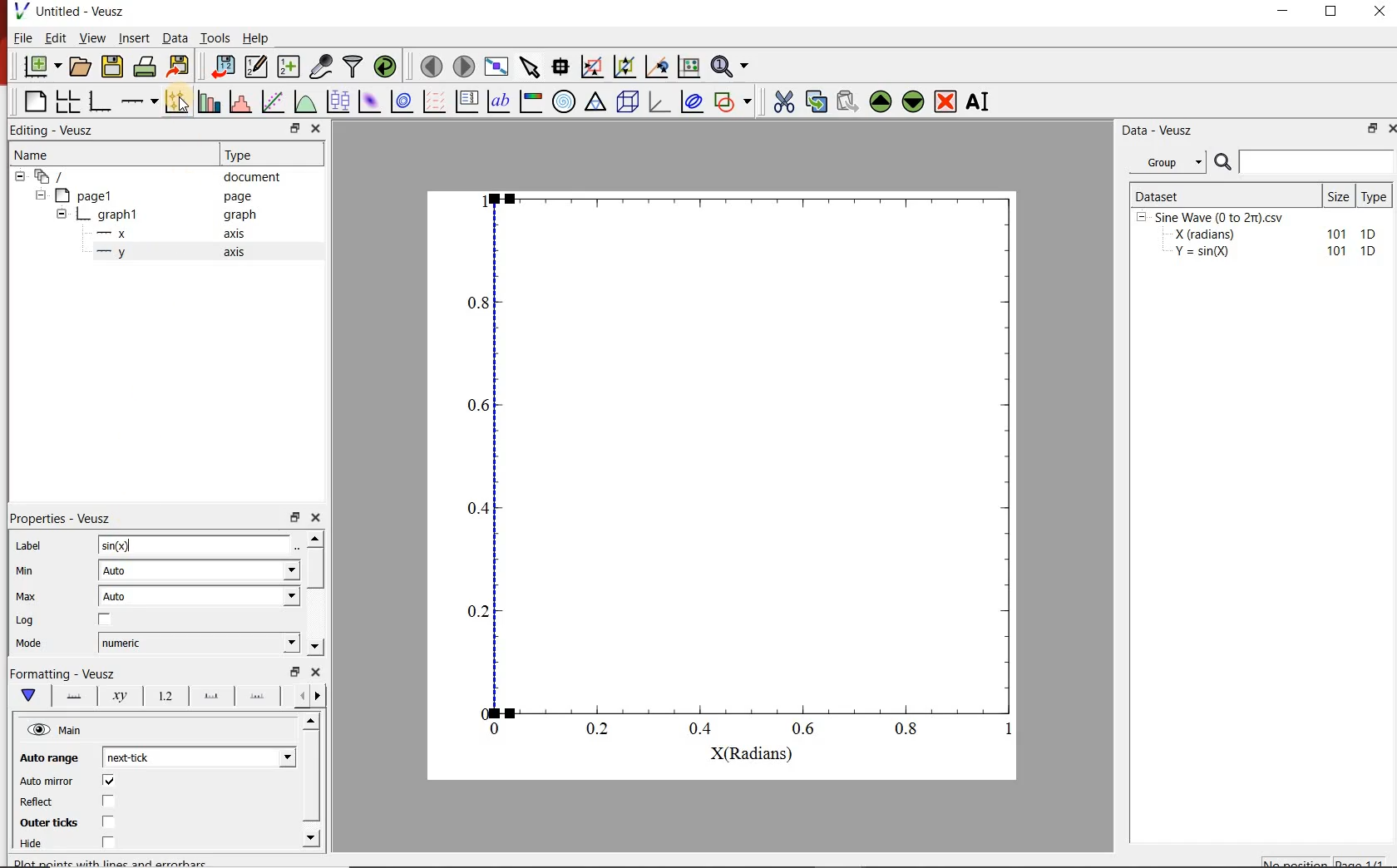  I want to click on Tools, so click(215, 37).